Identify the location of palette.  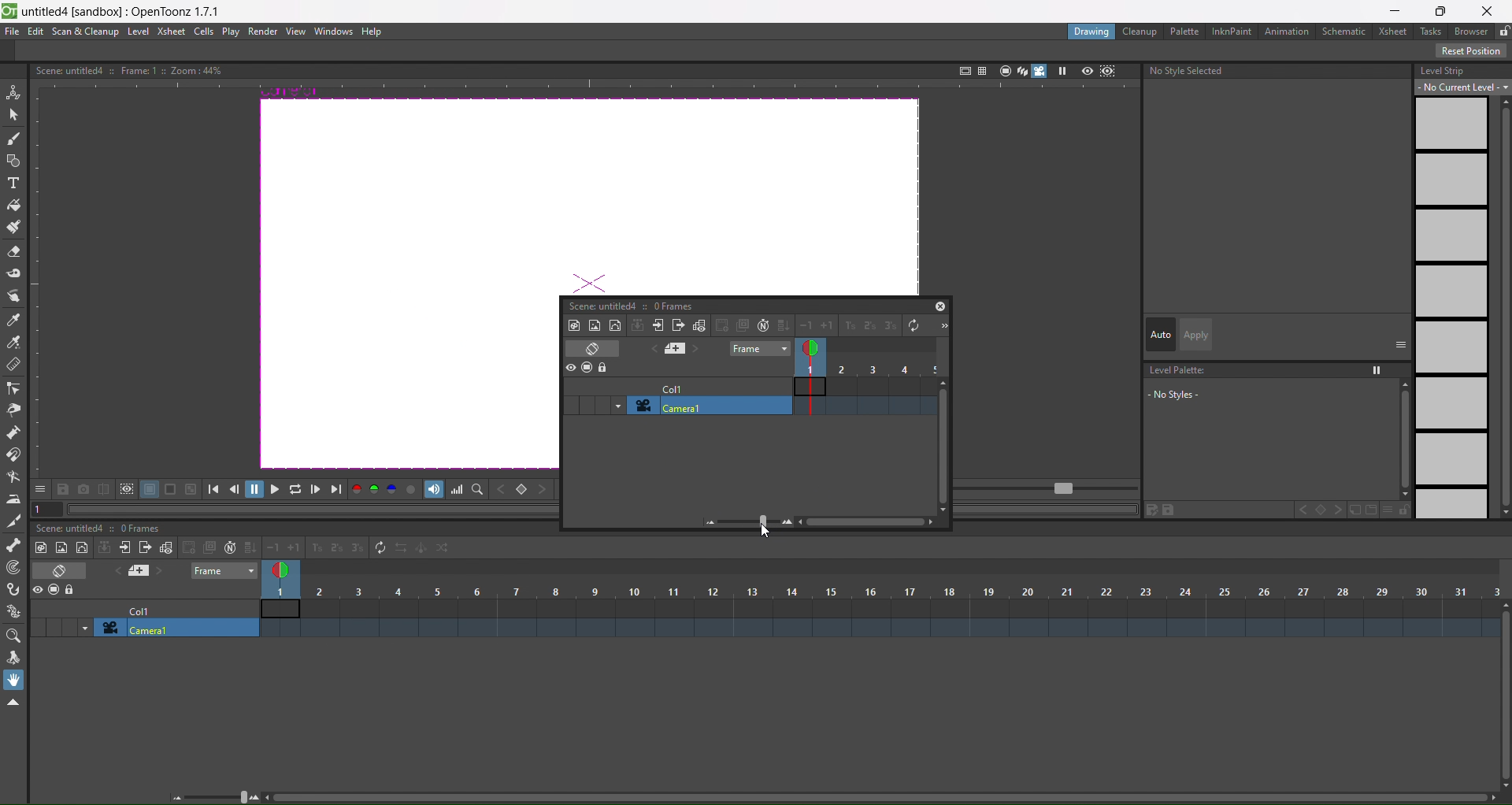
(1186, 31).